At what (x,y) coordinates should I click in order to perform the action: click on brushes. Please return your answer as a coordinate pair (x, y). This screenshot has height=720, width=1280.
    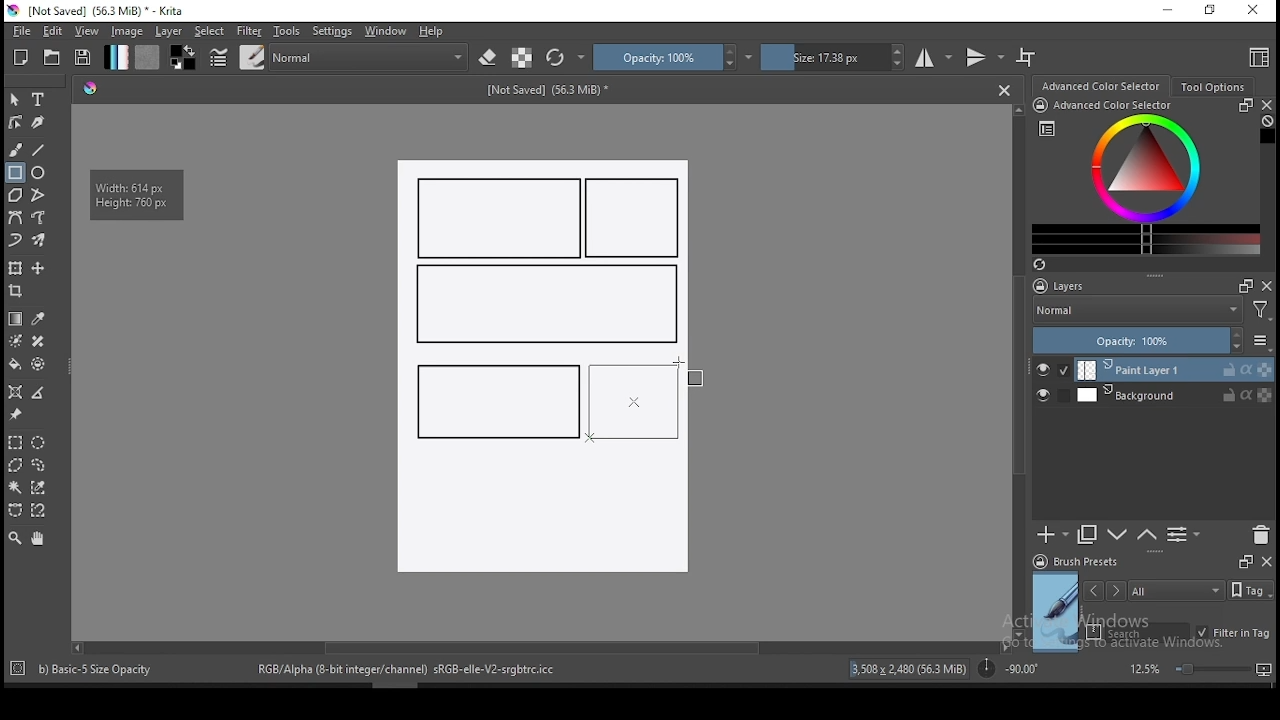
    Looking at the image, I should click on (252, 57).